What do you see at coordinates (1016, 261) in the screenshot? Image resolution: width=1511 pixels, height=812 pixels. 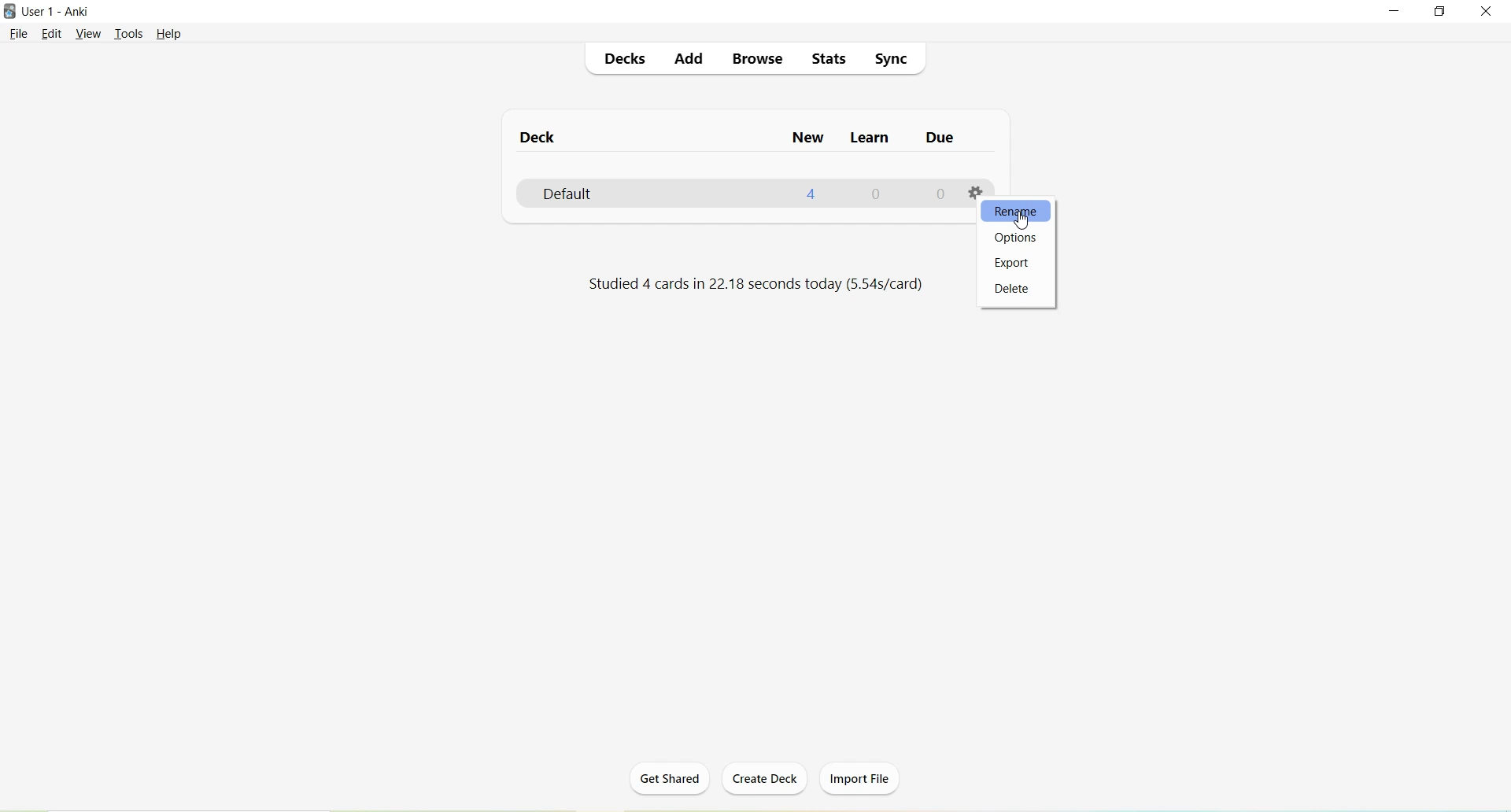 I see `Export` at bounding box center [1016, 261].